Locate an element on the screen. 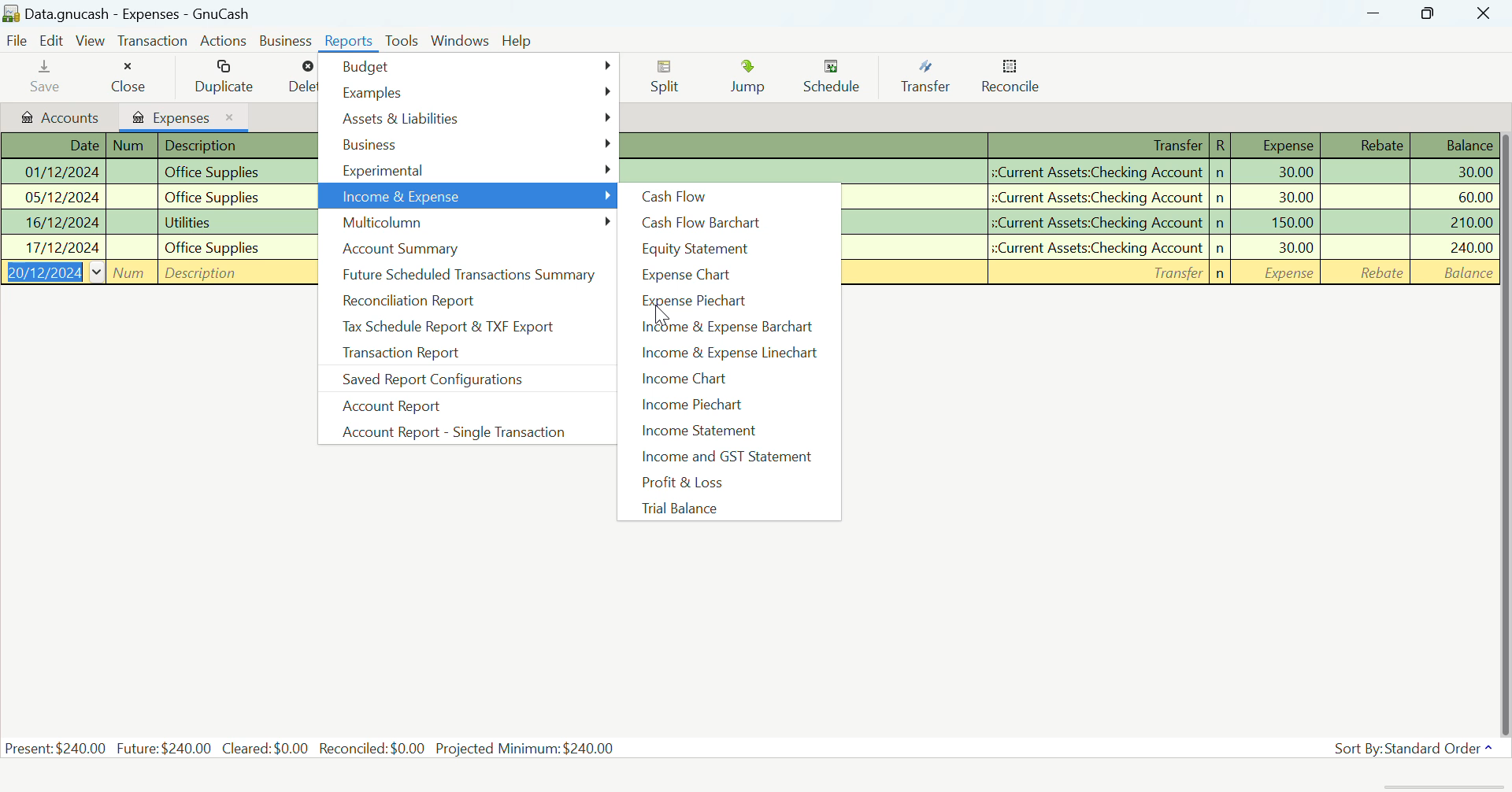  Close is located at coordinates (131, 77).